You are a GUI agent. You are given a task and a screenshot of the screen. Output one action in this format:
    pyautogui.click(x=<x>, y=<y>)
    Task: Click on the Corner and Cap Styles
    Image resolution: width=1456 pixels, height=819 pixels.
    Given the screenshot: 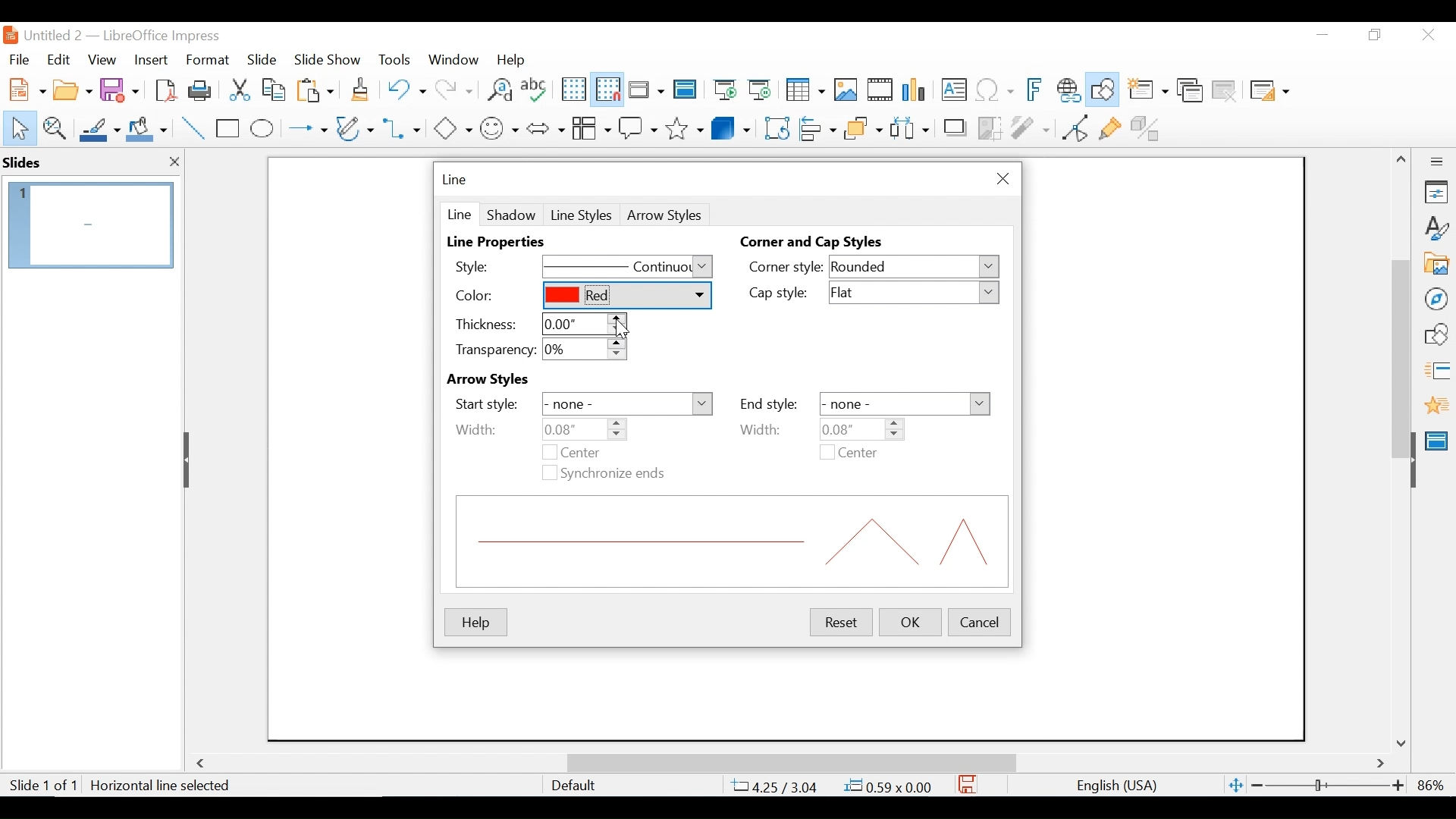 What is the action you would take?
    pyautogui.click(x=815, y=243)
    